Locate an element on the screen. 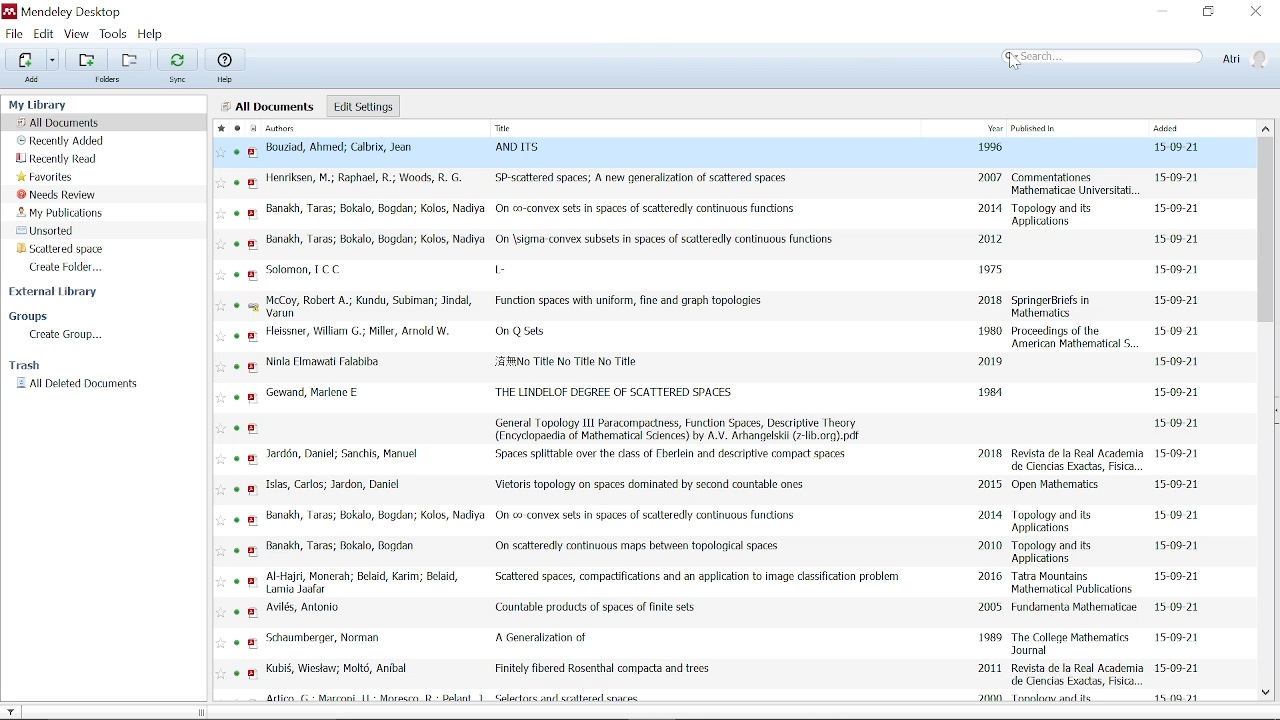 Image resolution: width=1280 pixels, height=720 pixels. recently added is located at coordinates (62, 141).